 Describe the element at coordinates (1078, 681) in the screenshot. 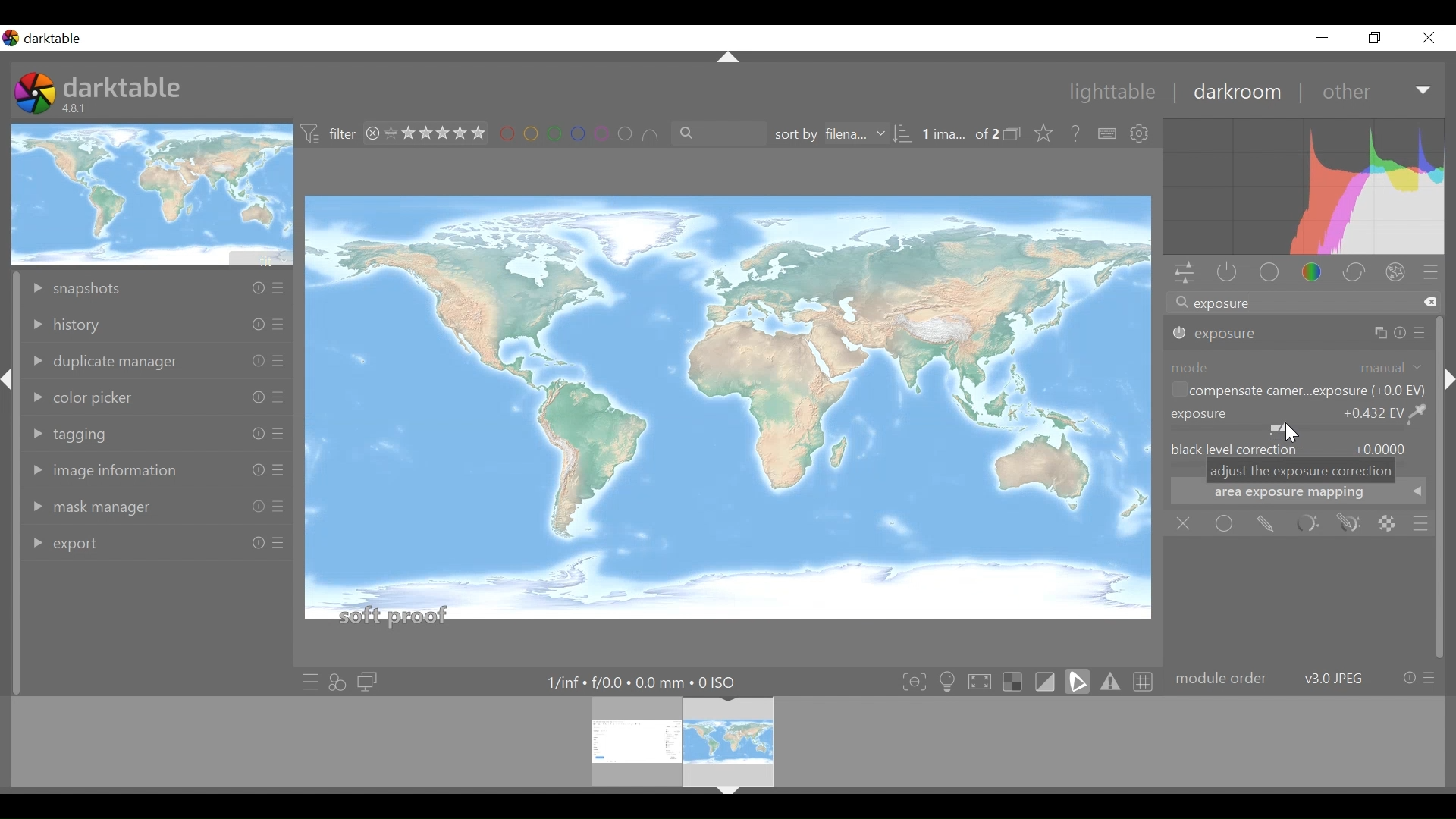

I see `toggle soft-proofing ` at that location.